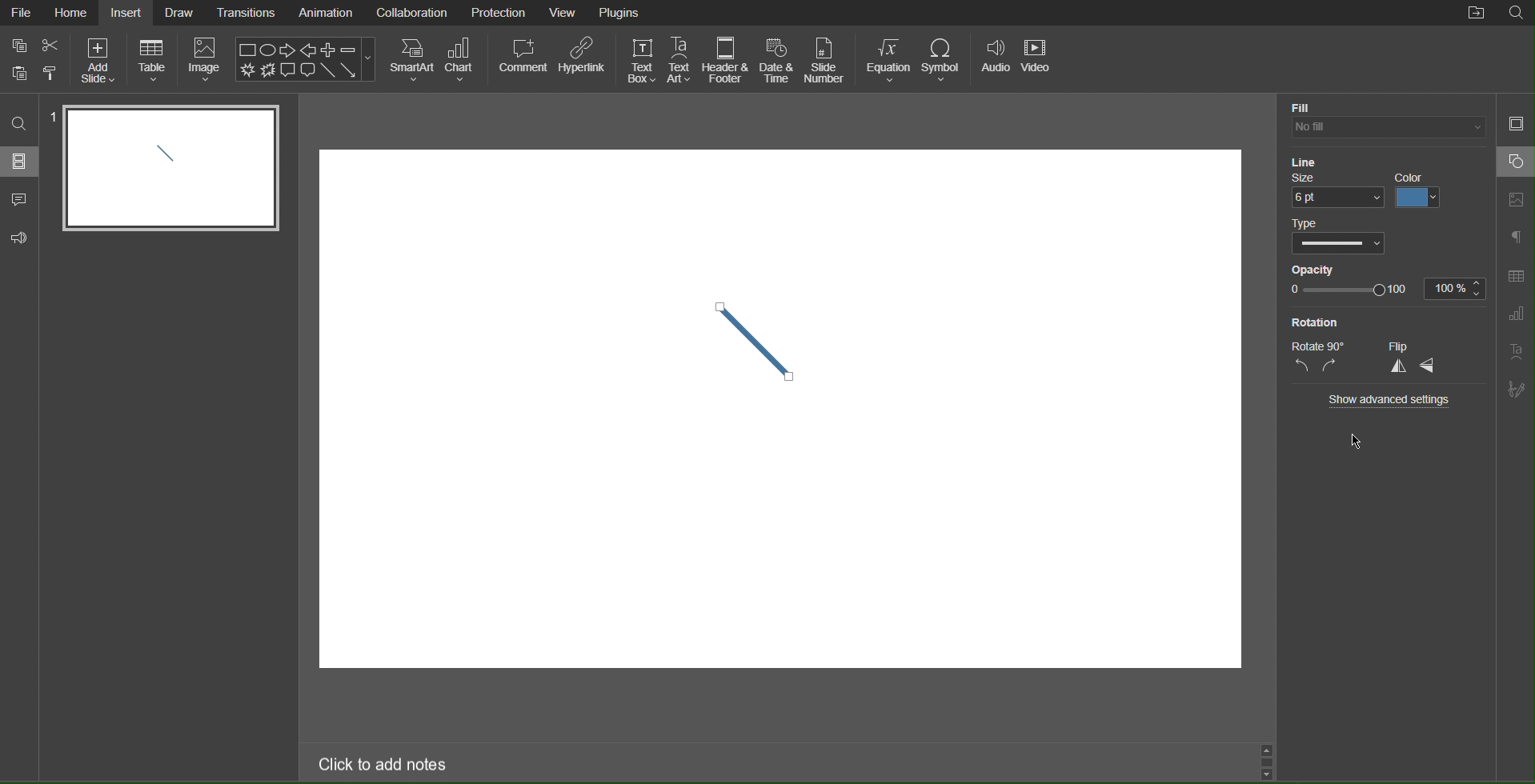 This screenshot has width=1535, height=784. Describe the element at coordinates (1310, 178) in the screenshot. I see `Size` at that location.